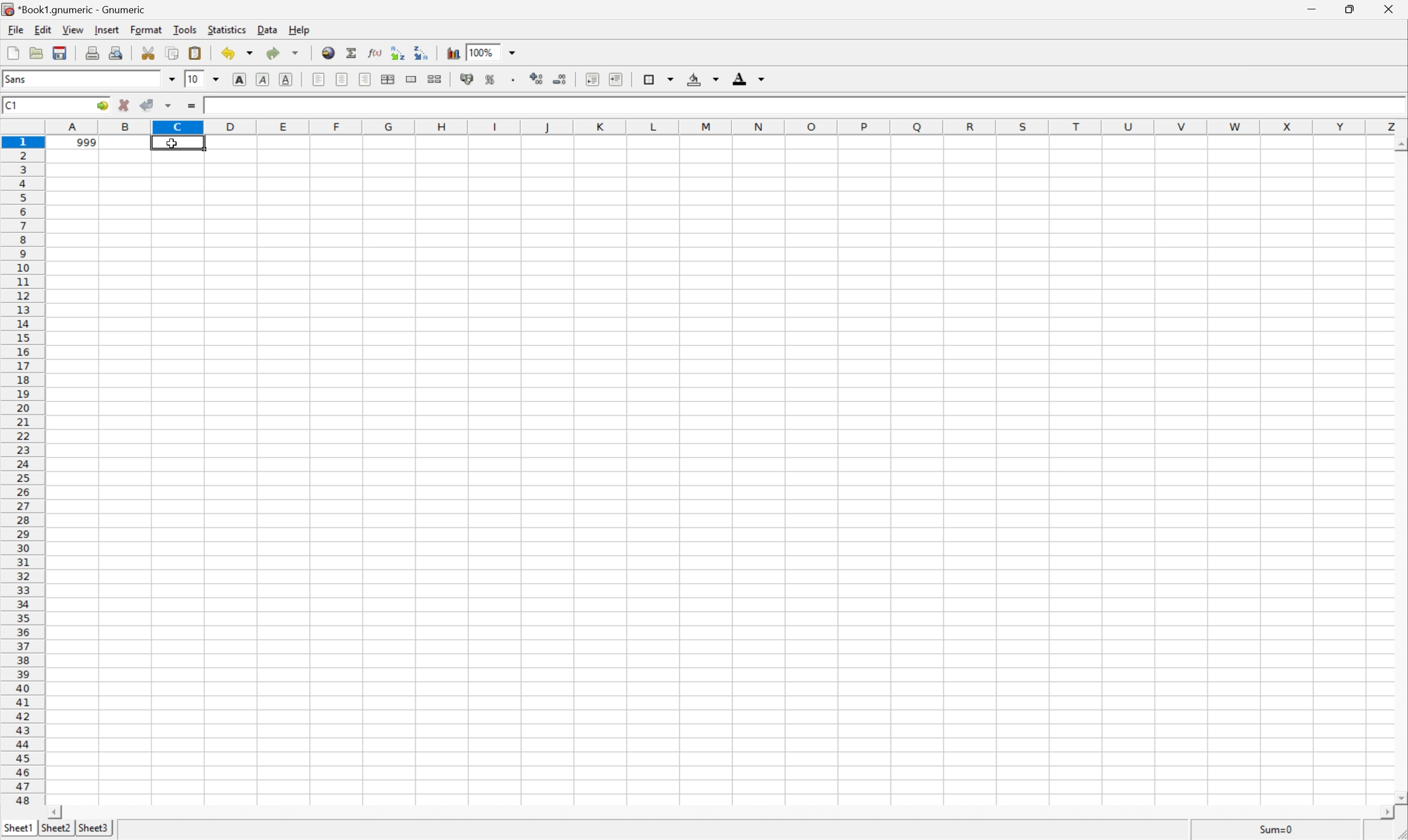  Describe the element at coordinates (1385, 816) in the screenshot. I see `scroll right` at that location.